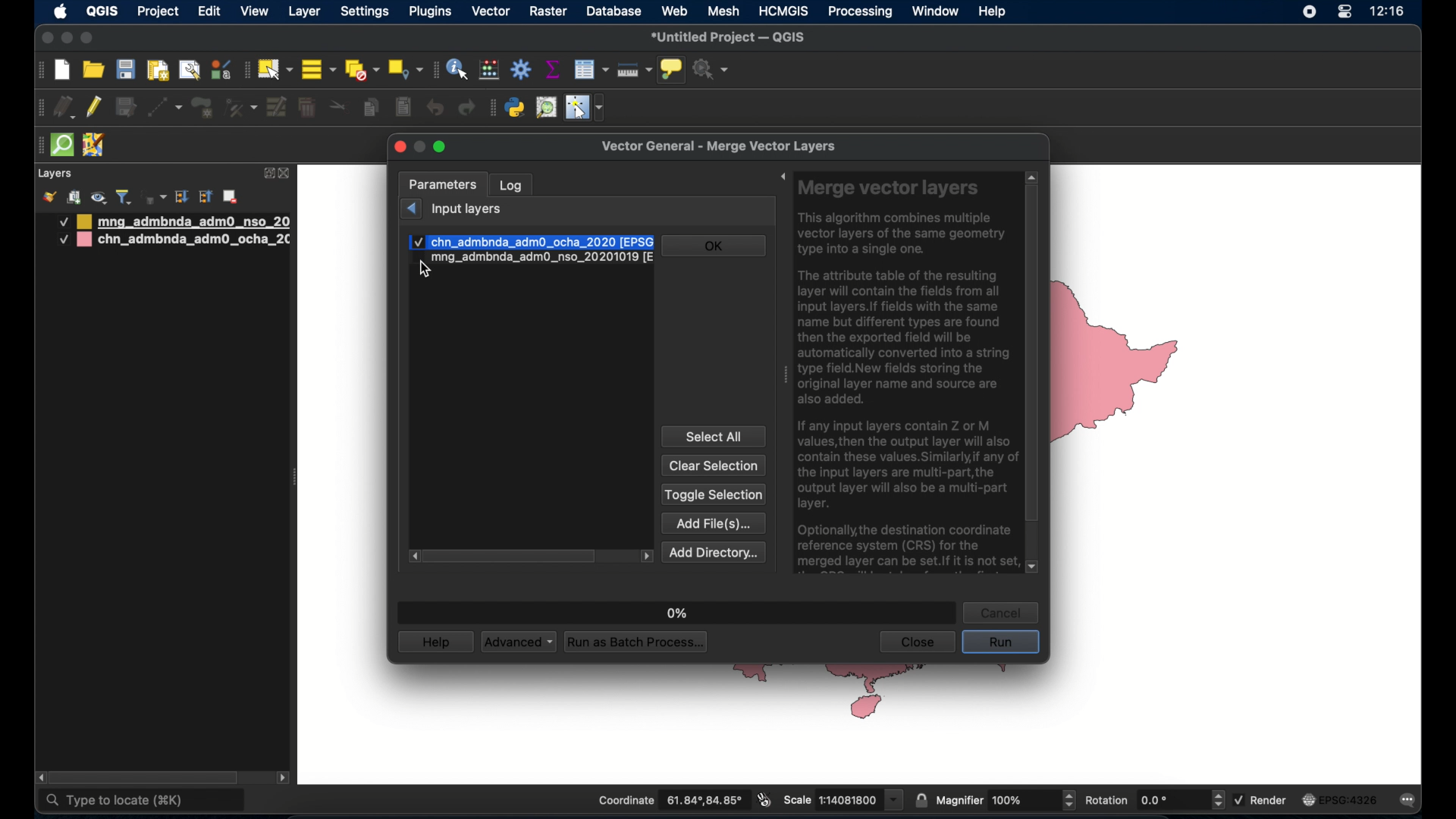 The height and width of the screenshot is (819, 1456). I want to click on scale, so click(842, 799).